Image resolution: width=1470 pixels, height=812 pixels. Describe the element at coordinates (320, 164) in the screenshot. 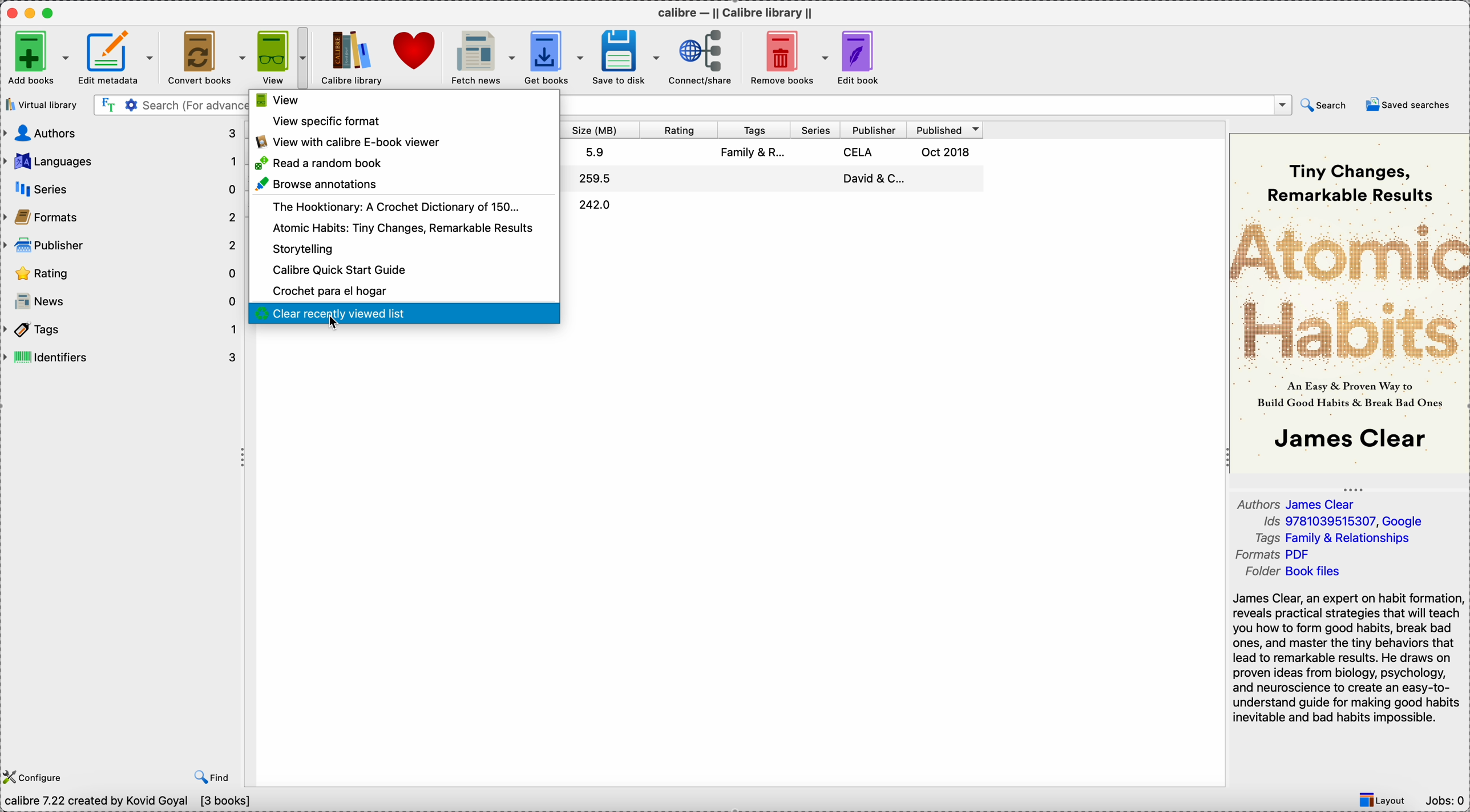

I see `read a random book` at that location.